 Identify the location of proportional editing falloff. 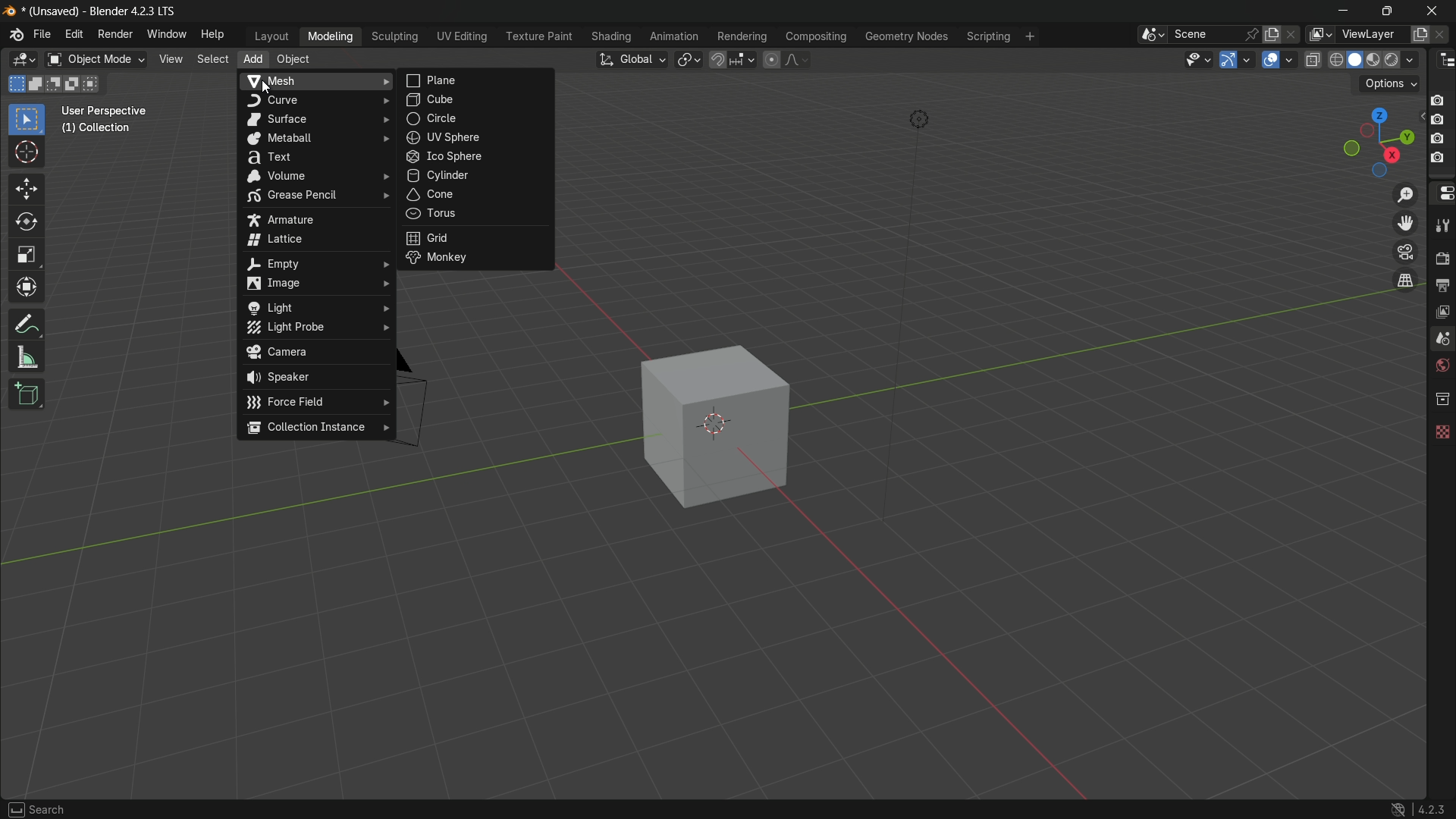
(797, 59).